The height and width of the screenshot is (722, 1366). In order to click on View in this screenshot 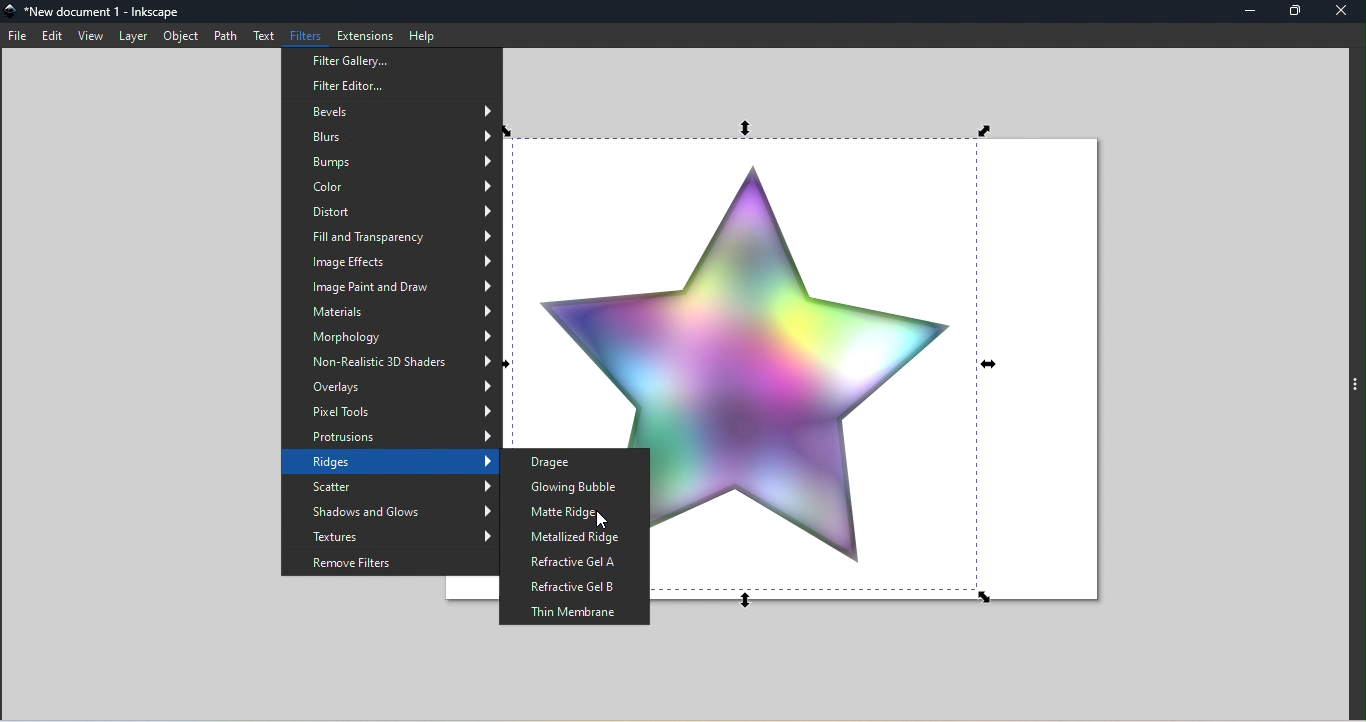, I will do `click(93, 37)`.